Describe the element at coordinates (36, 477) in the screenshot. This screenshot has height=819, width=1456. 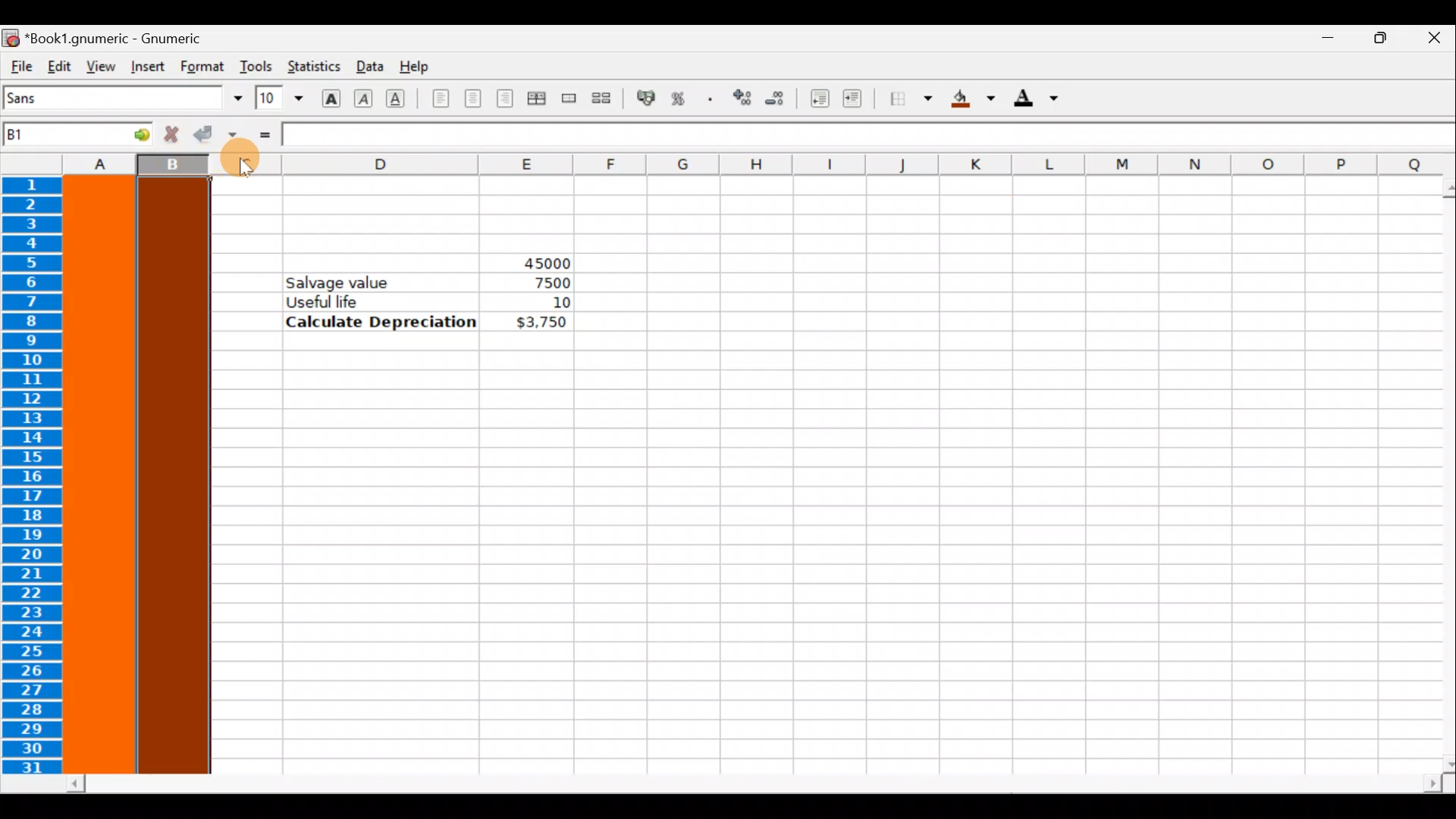
I see `Rows` at that location.